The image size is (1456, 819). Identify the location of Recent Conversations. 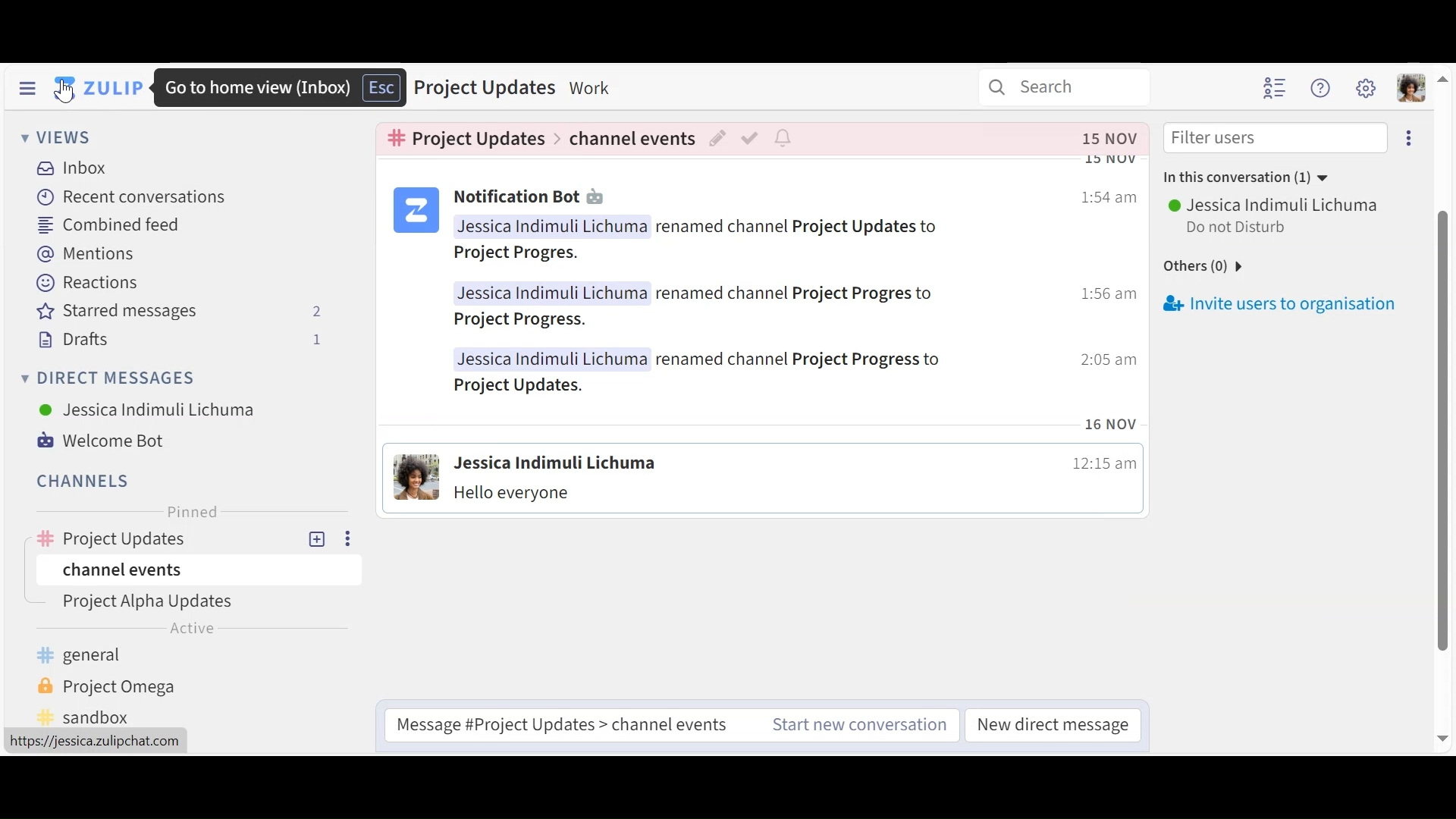
(133, 198).